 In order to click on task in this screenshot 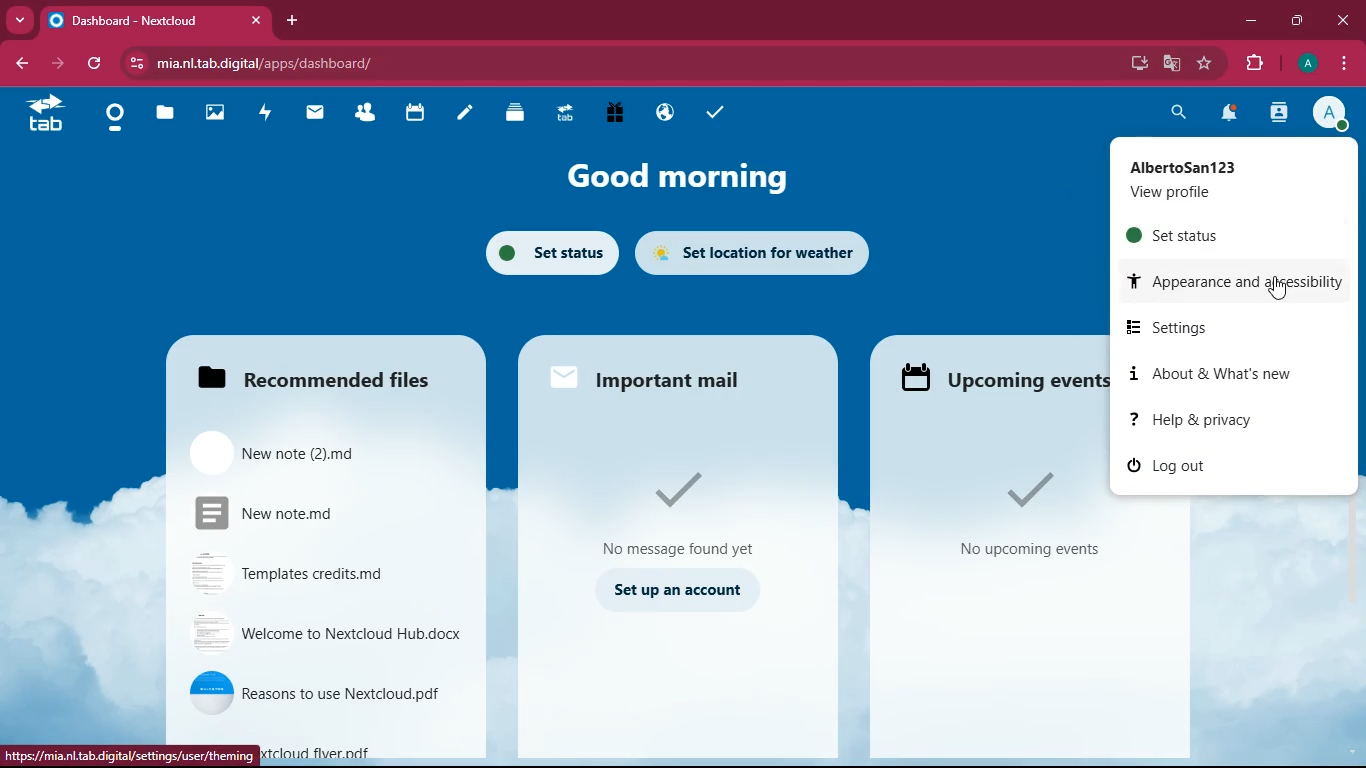, I will do `click(719, 115)`.